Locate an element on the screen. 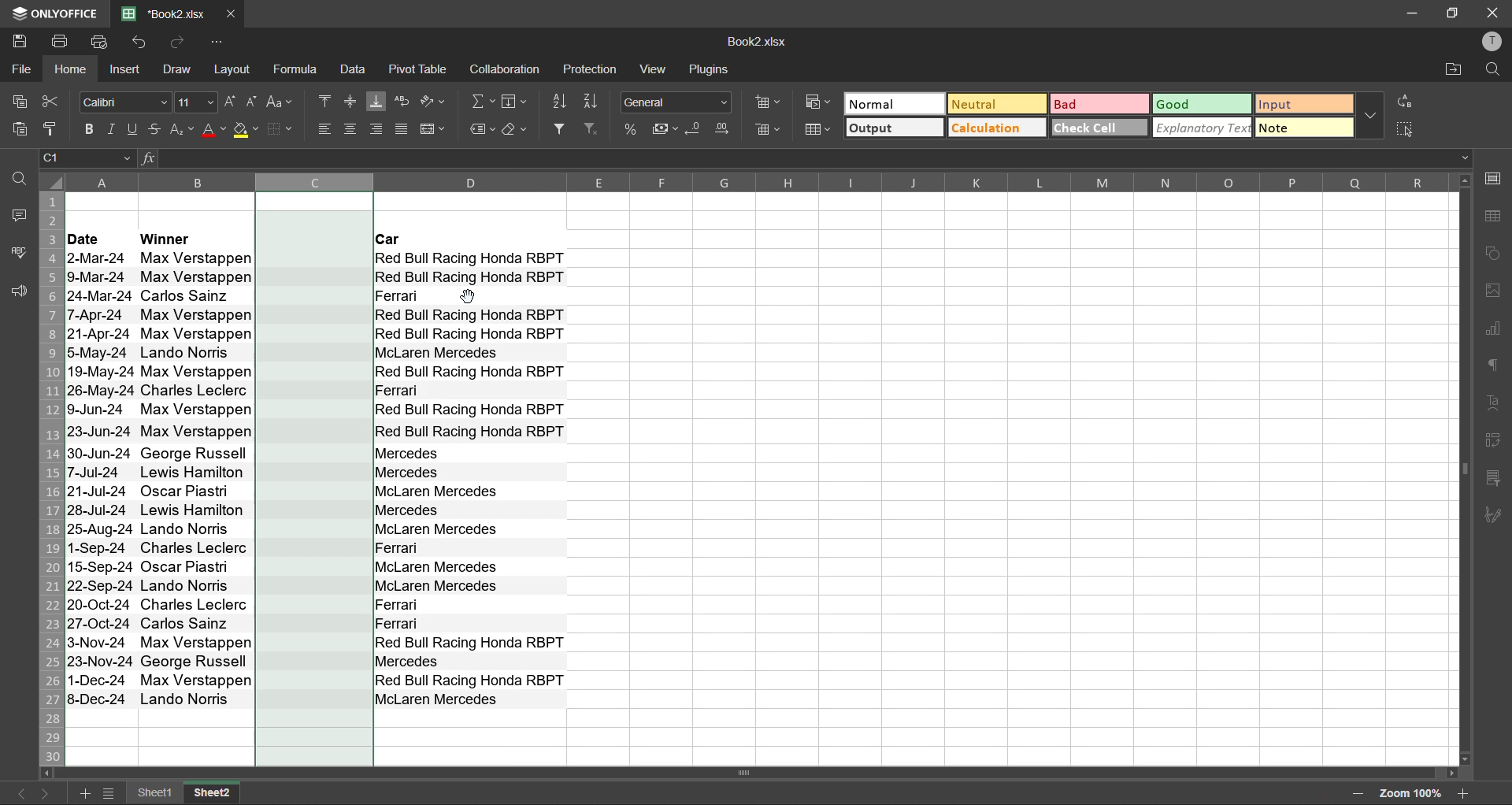 The image size is (1512, 805). good is located at coordinates (1203, 106).